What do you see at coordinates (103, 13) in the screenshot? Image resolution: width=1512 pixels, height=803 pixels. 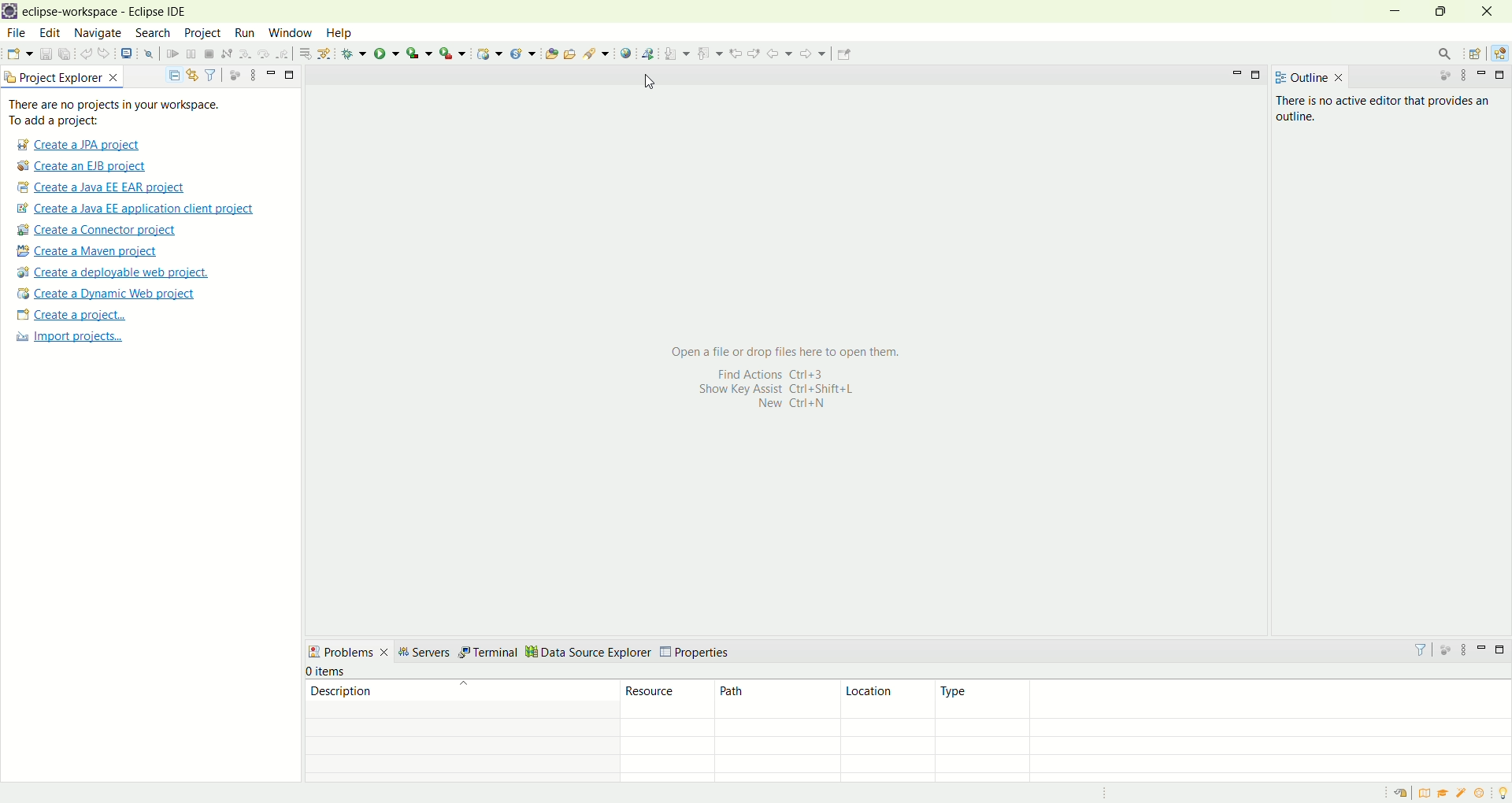 I see `eclipse-workspace-Eclipse IDE` at bounding box center [103, 13].